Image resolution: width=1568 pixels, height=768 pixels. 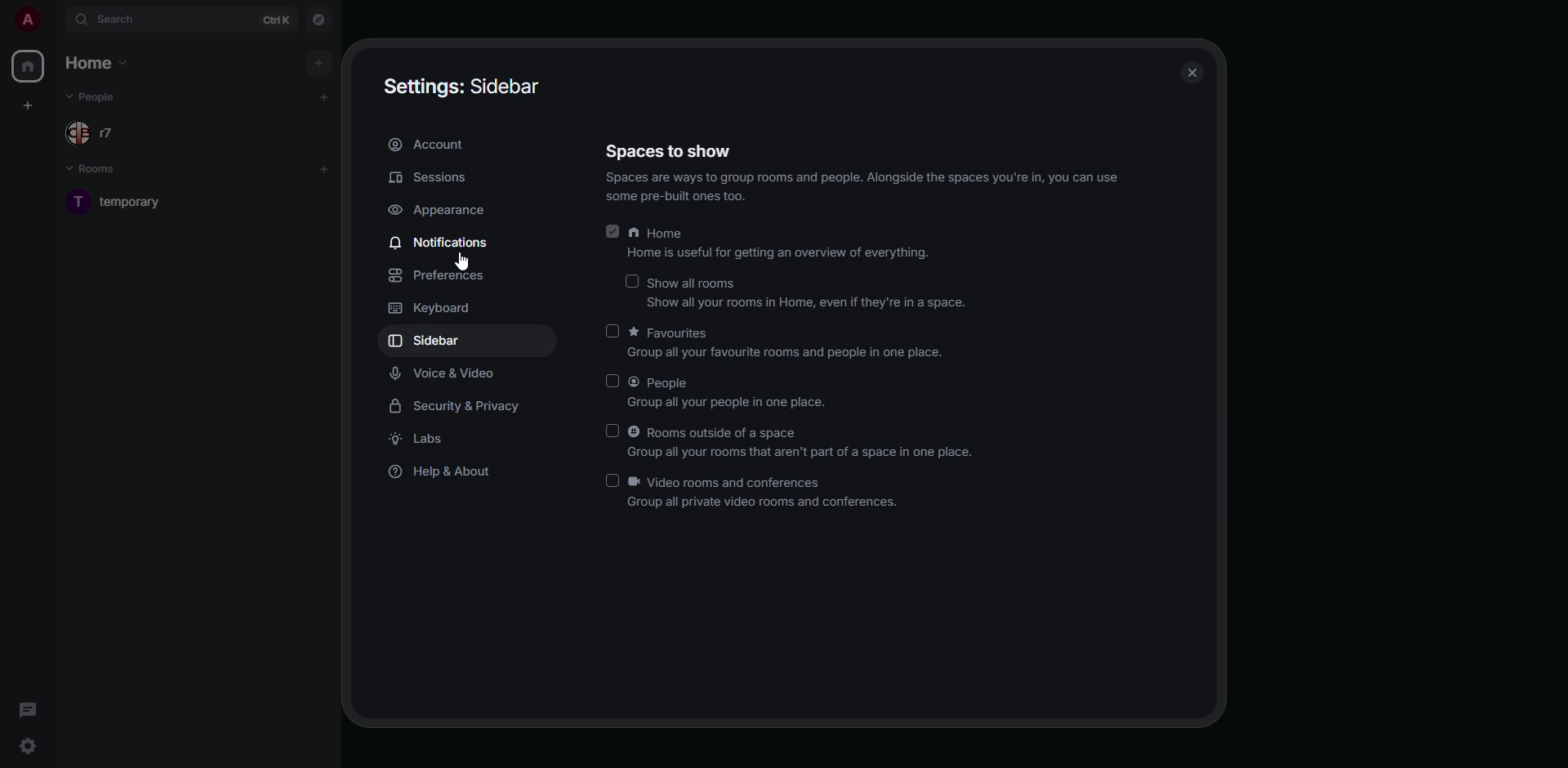 What do you see at coordinates (781, 244) in the screenshot?
I see `home` at bounding box center [781, 244].